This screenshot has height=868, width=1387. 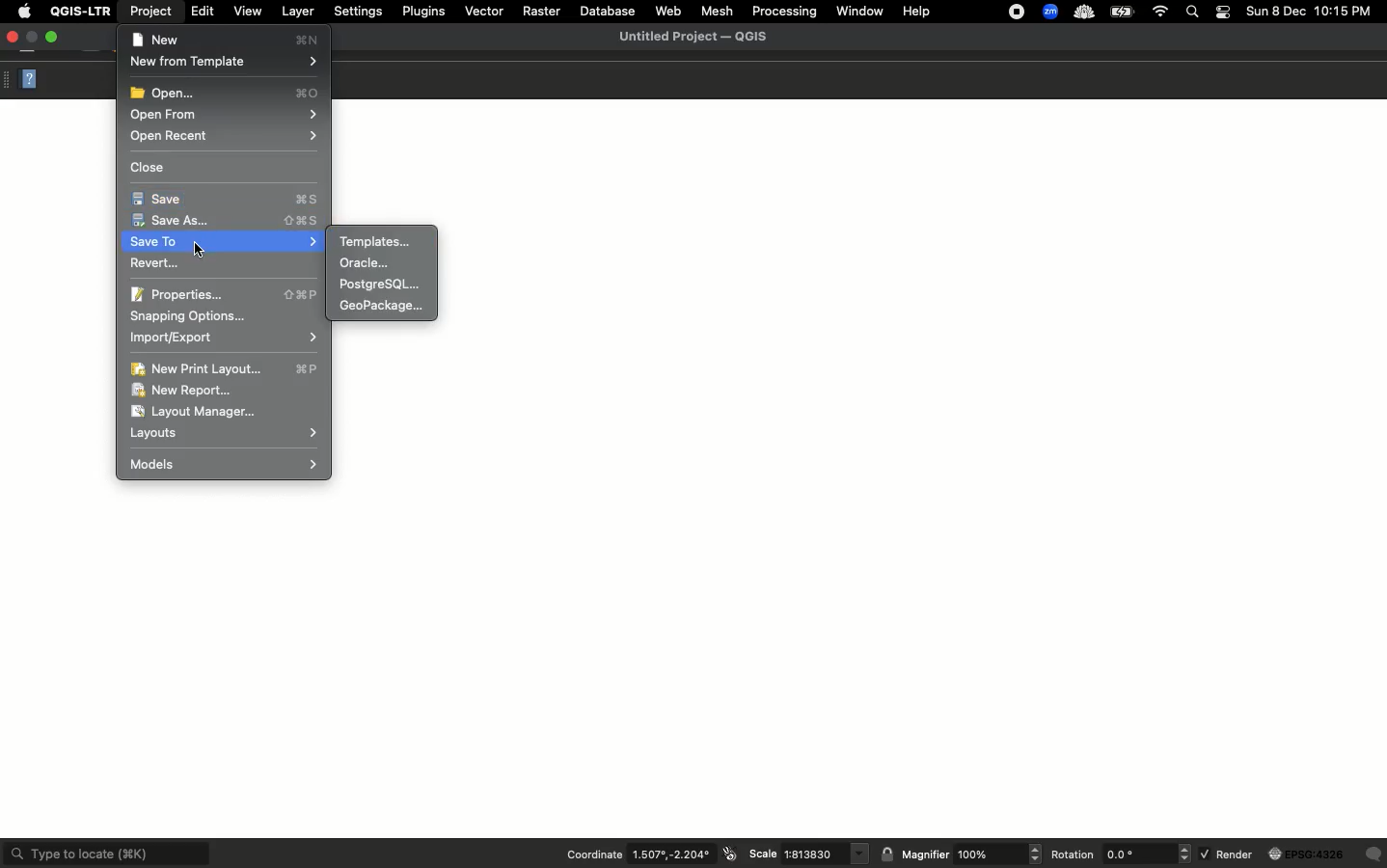 What do you see at coordinates (80, 10) in the screenshot?
I see `QGIS` at bounding box center [80, 10].